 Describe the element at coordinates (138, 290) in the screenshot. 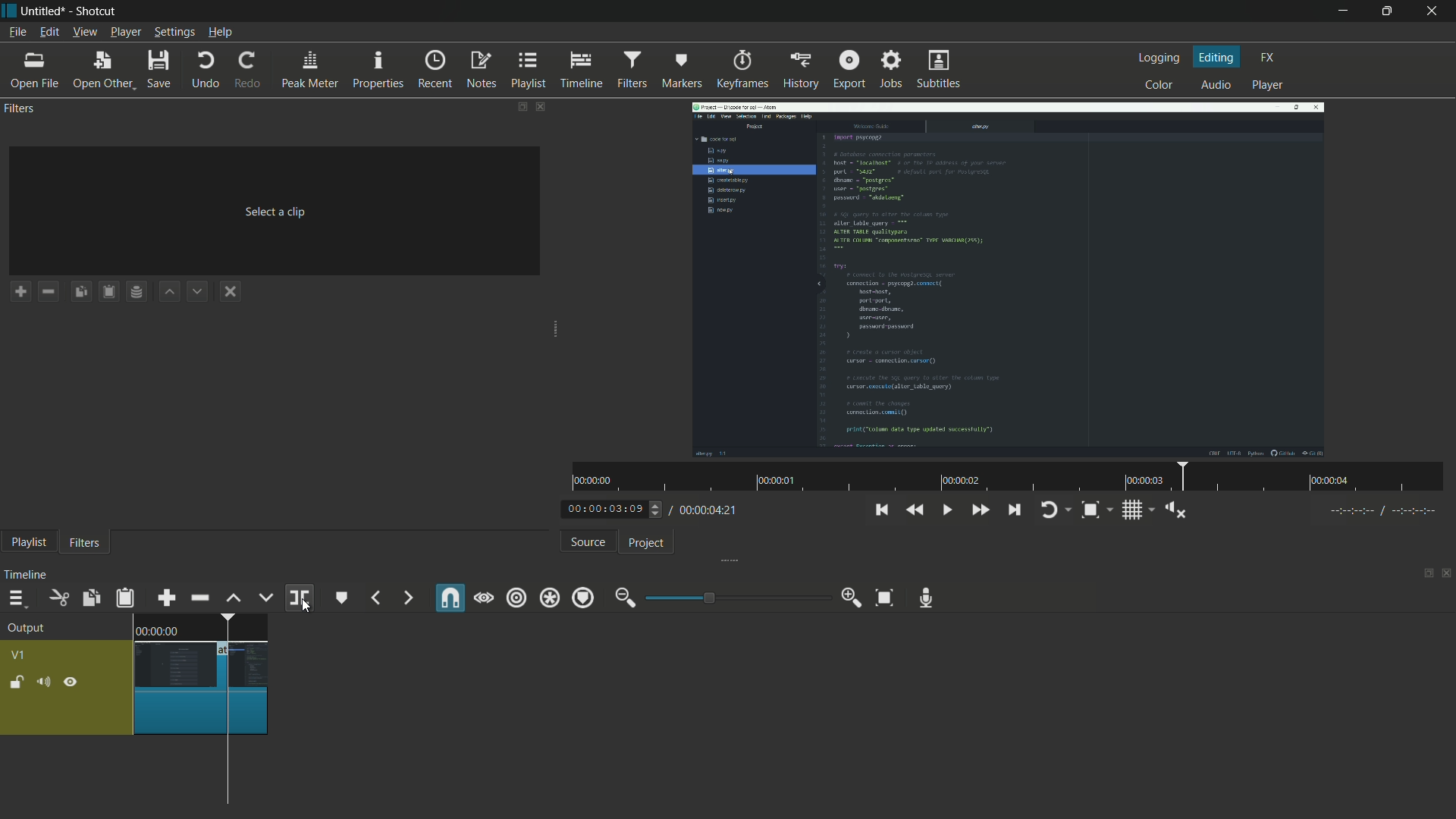

I see `save filter set` at that location.